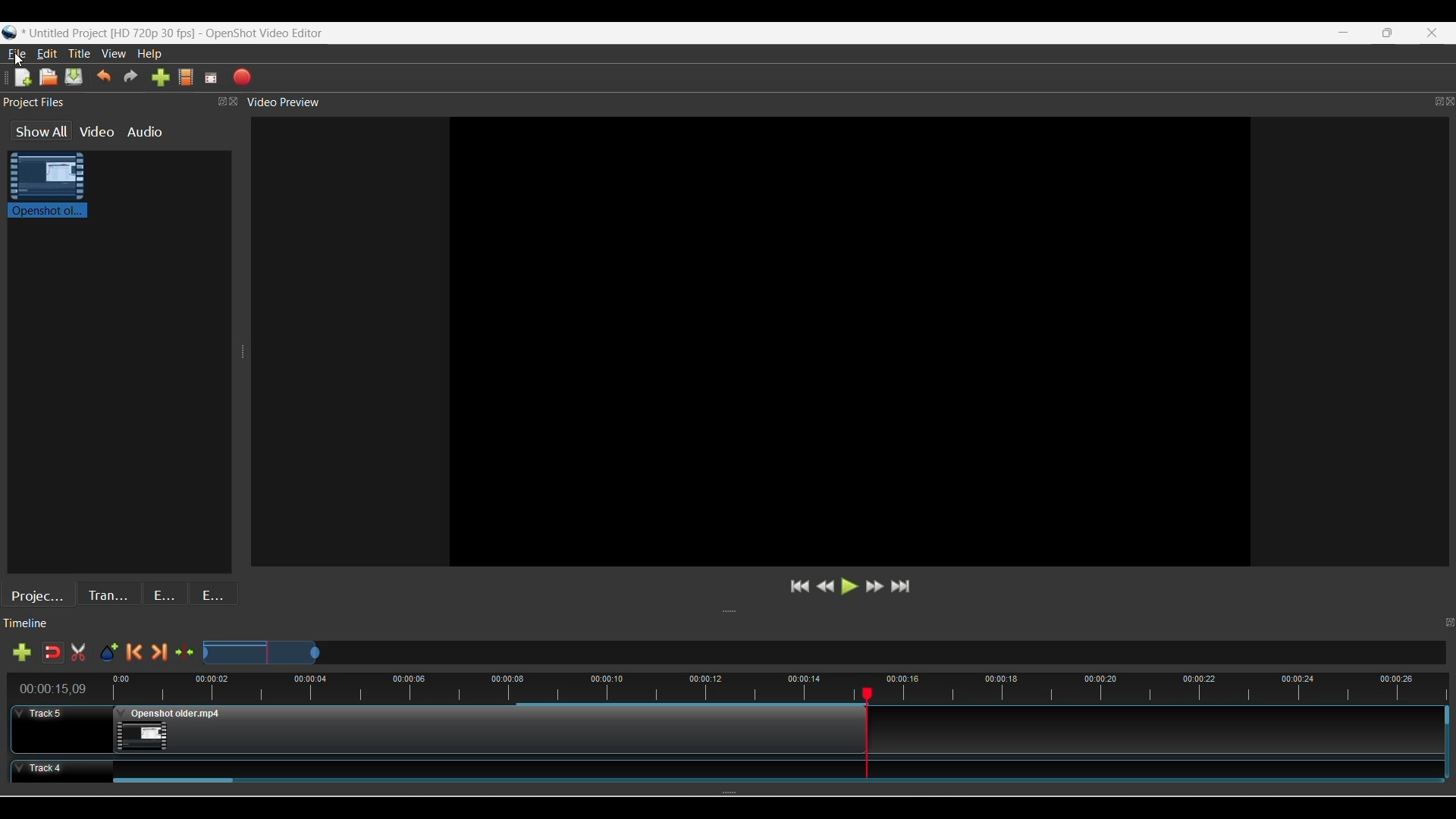  Describe the element at coordinates (714, 627) in the screenshot. I see `Timeline Panel` at that location.